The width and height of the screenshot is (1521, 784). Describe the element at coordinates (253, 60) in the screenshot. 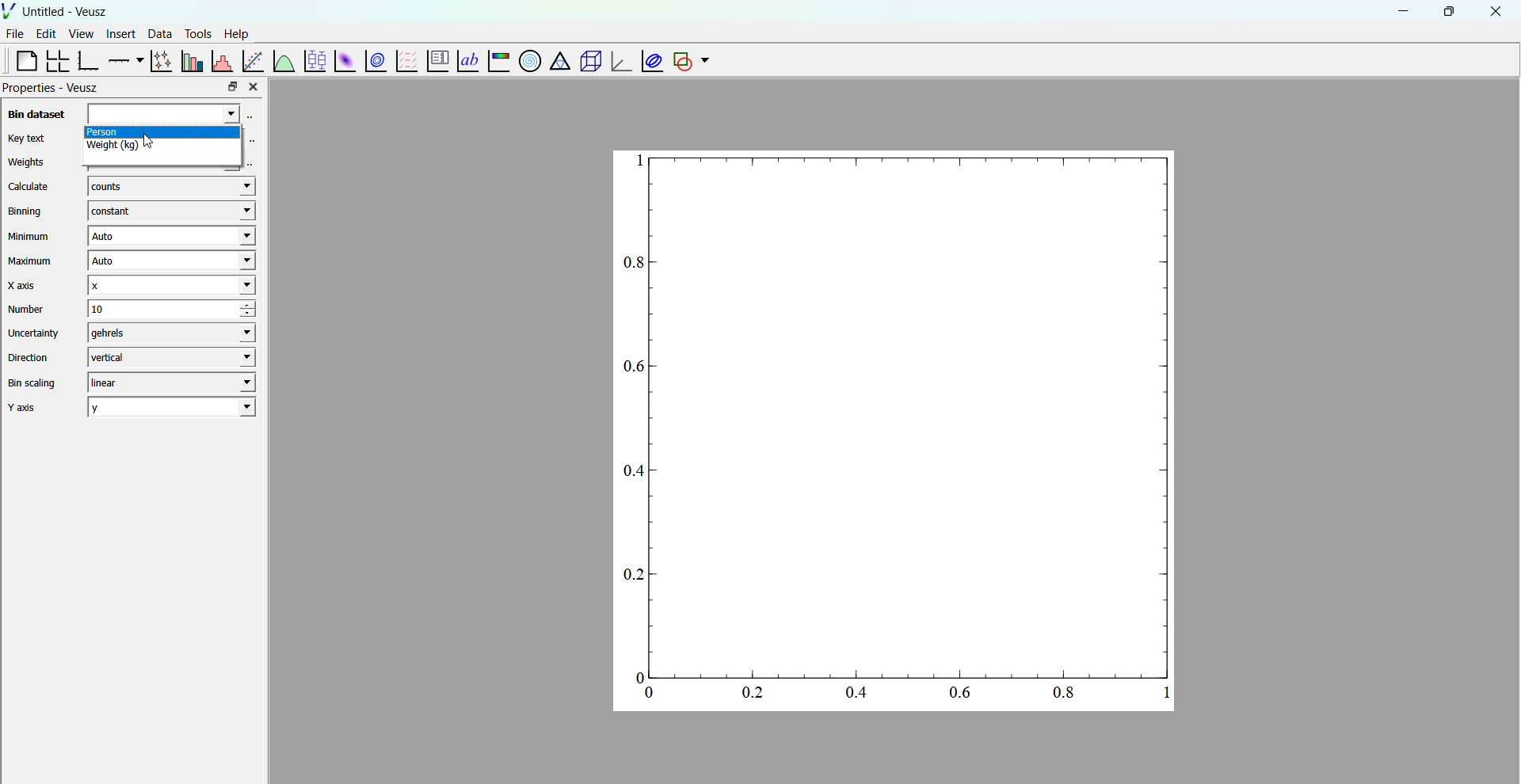

I see `fit a function to a date` at that location.